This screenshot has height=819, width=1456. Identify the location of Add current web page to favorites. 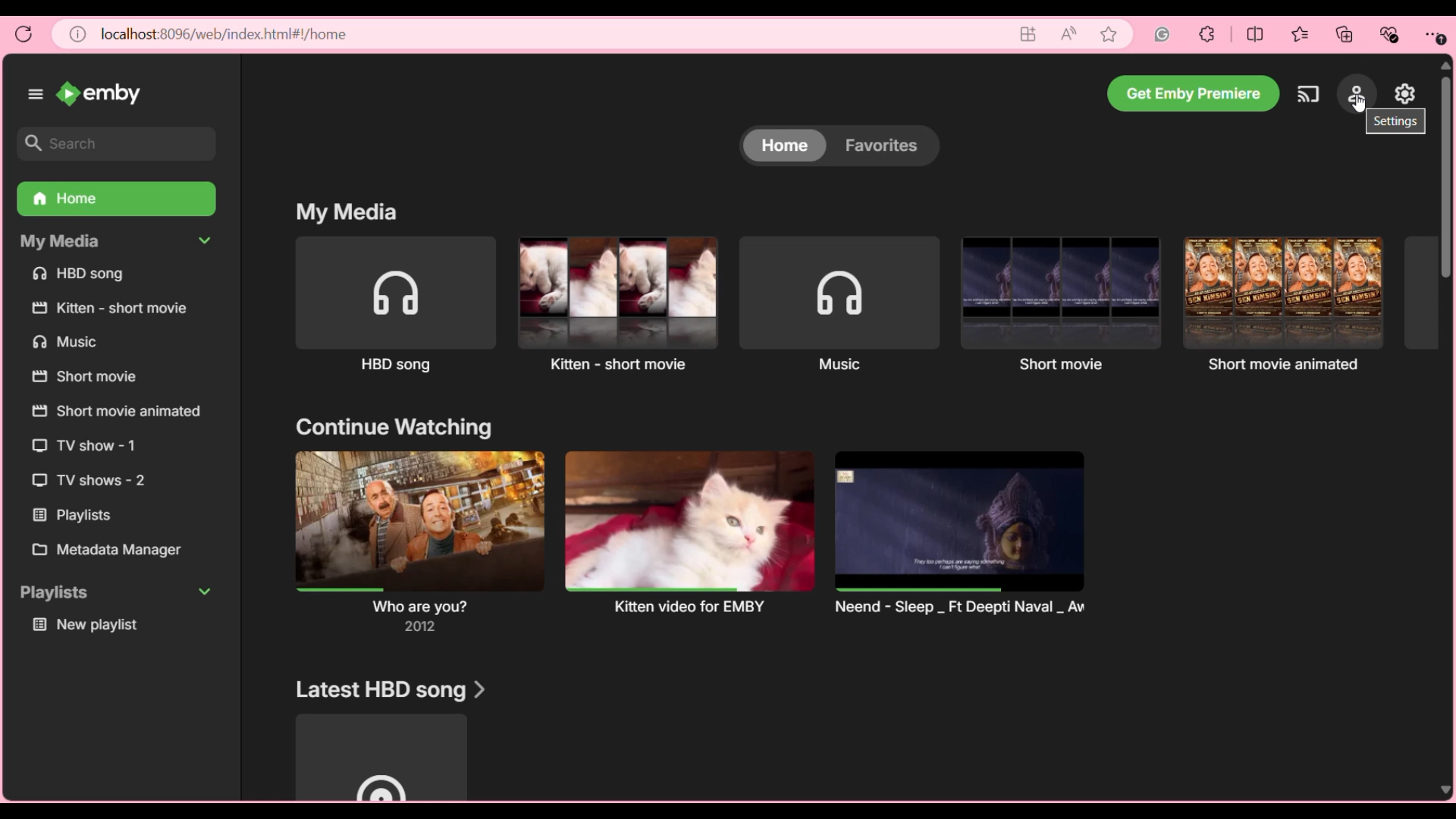
(1109, 34).